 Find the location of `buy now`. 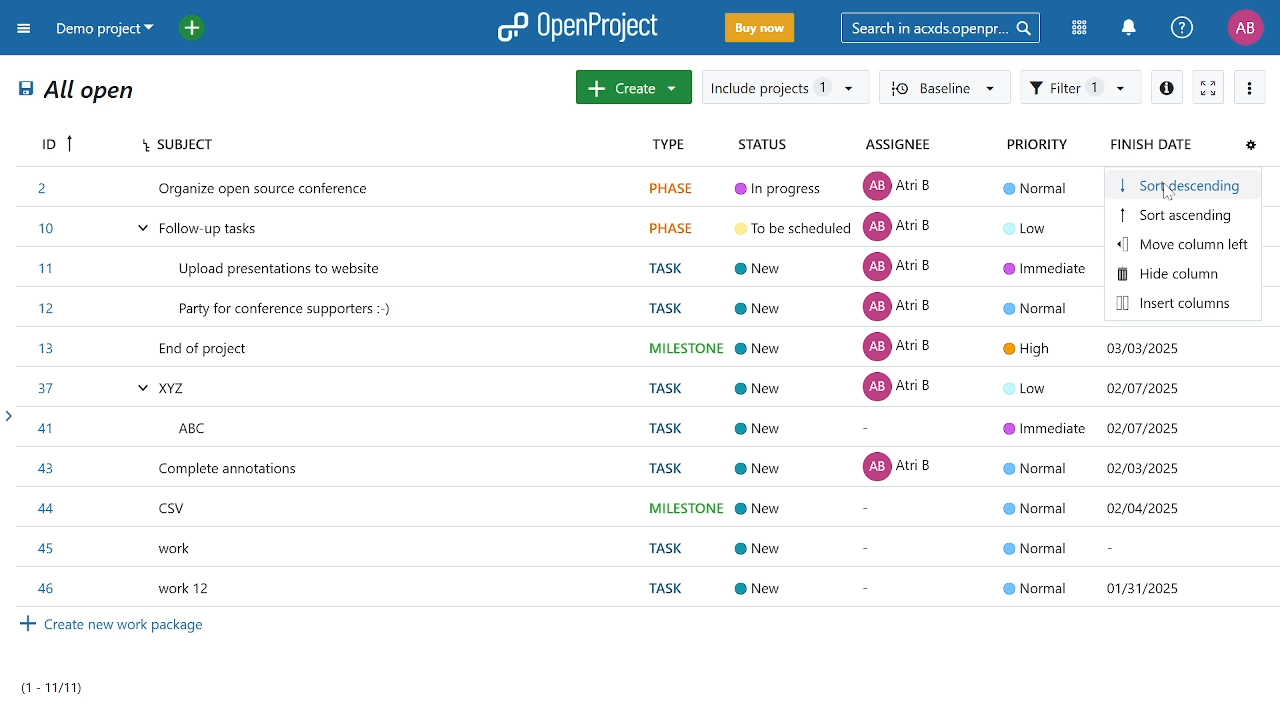

buy now is located at coordinates (758, 29).